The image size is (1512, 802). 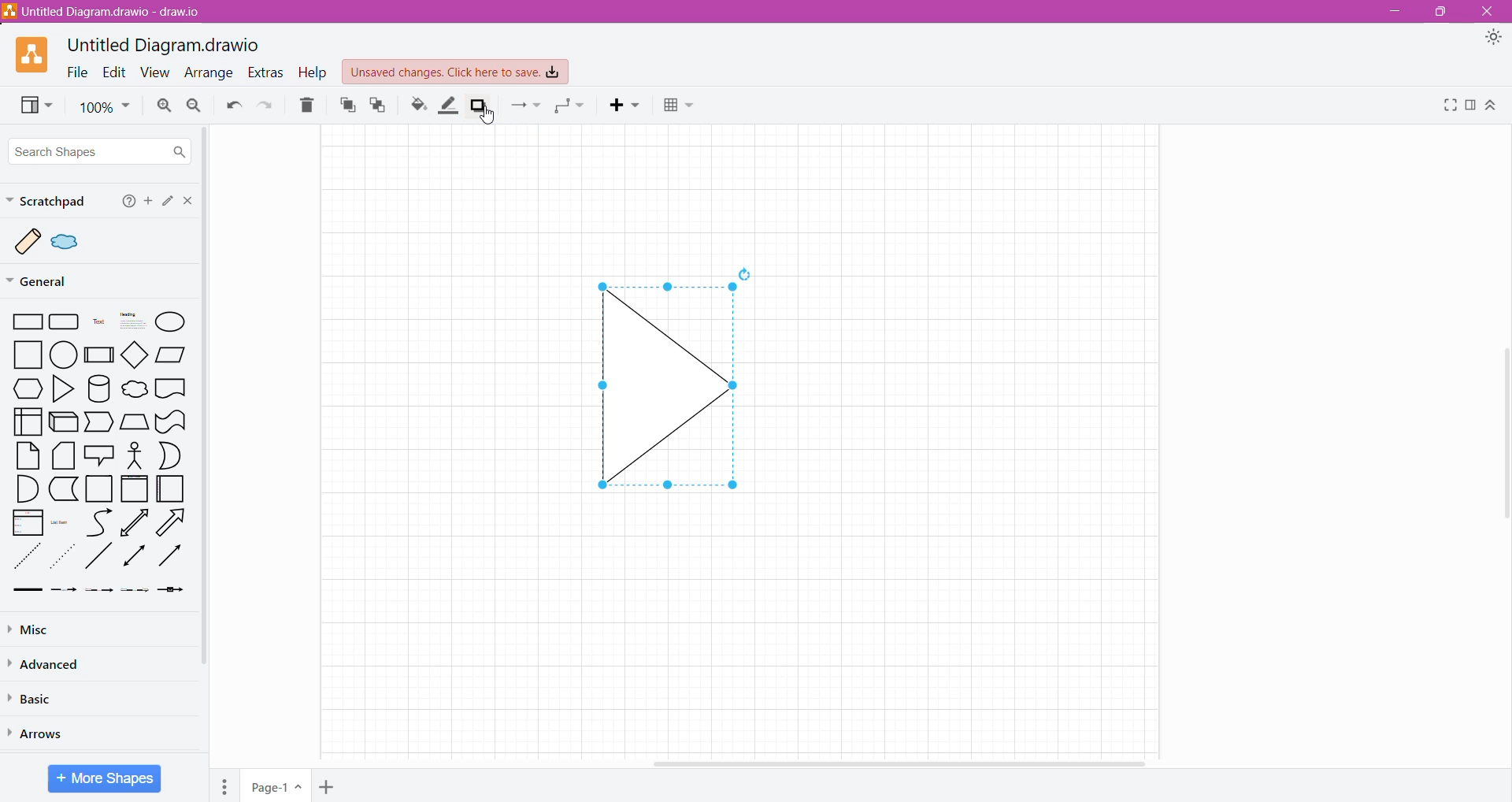 What do you see at coordinates (1491, 39) in the screenshot?
I see `Appearance` at bounding box center [1491, 39].